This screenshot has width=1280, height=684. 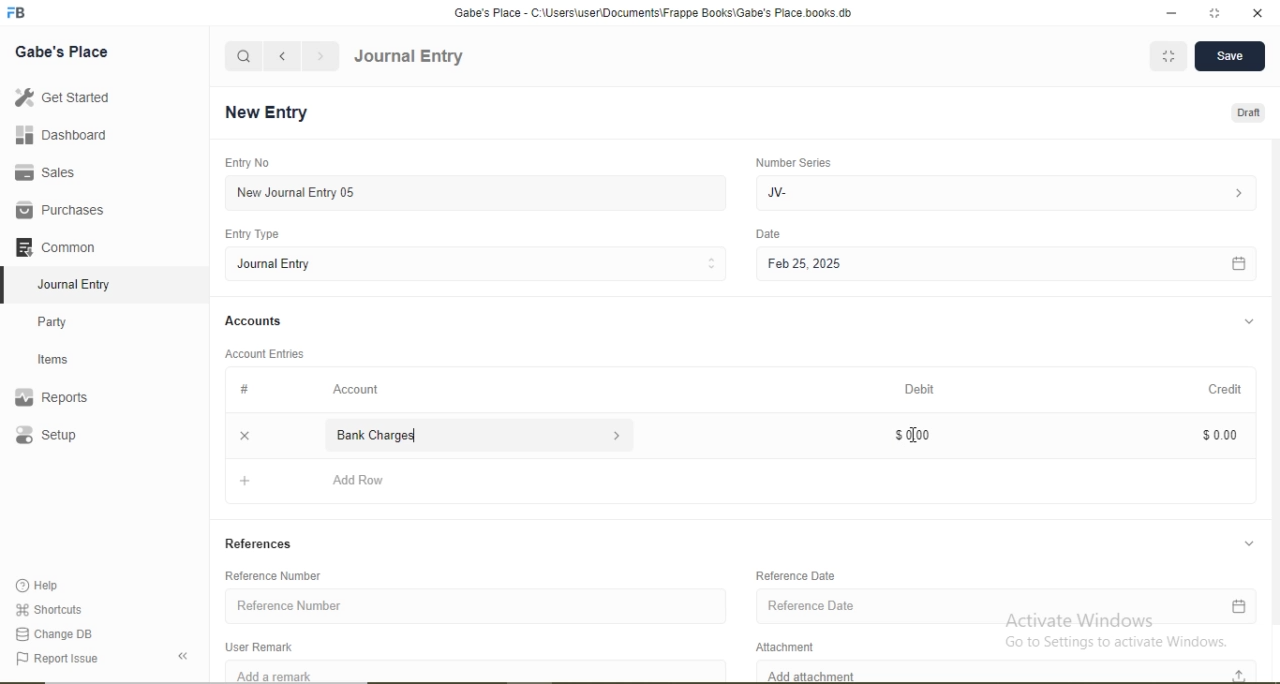 What do you see at coordinates (1003, 191) in the screenshot?
I see `JV-` at bounding box center [1003, 191].